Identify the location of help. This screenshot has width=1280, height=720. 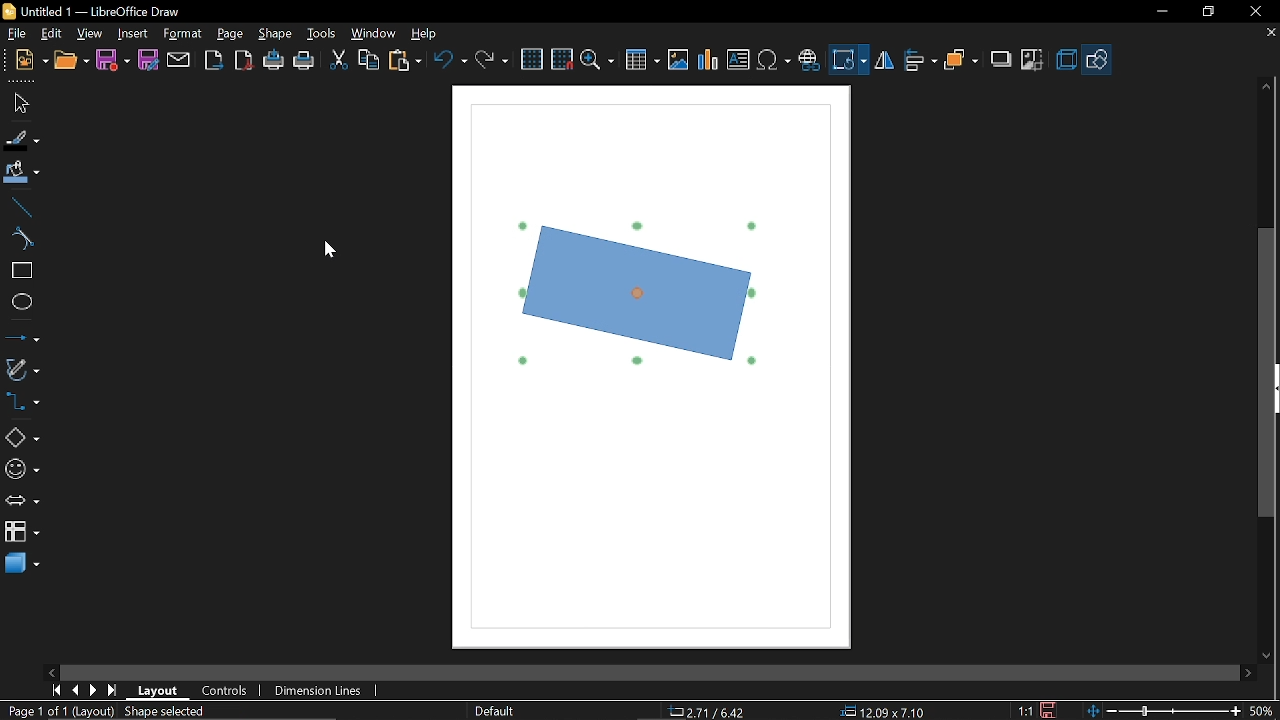
(424, 35).